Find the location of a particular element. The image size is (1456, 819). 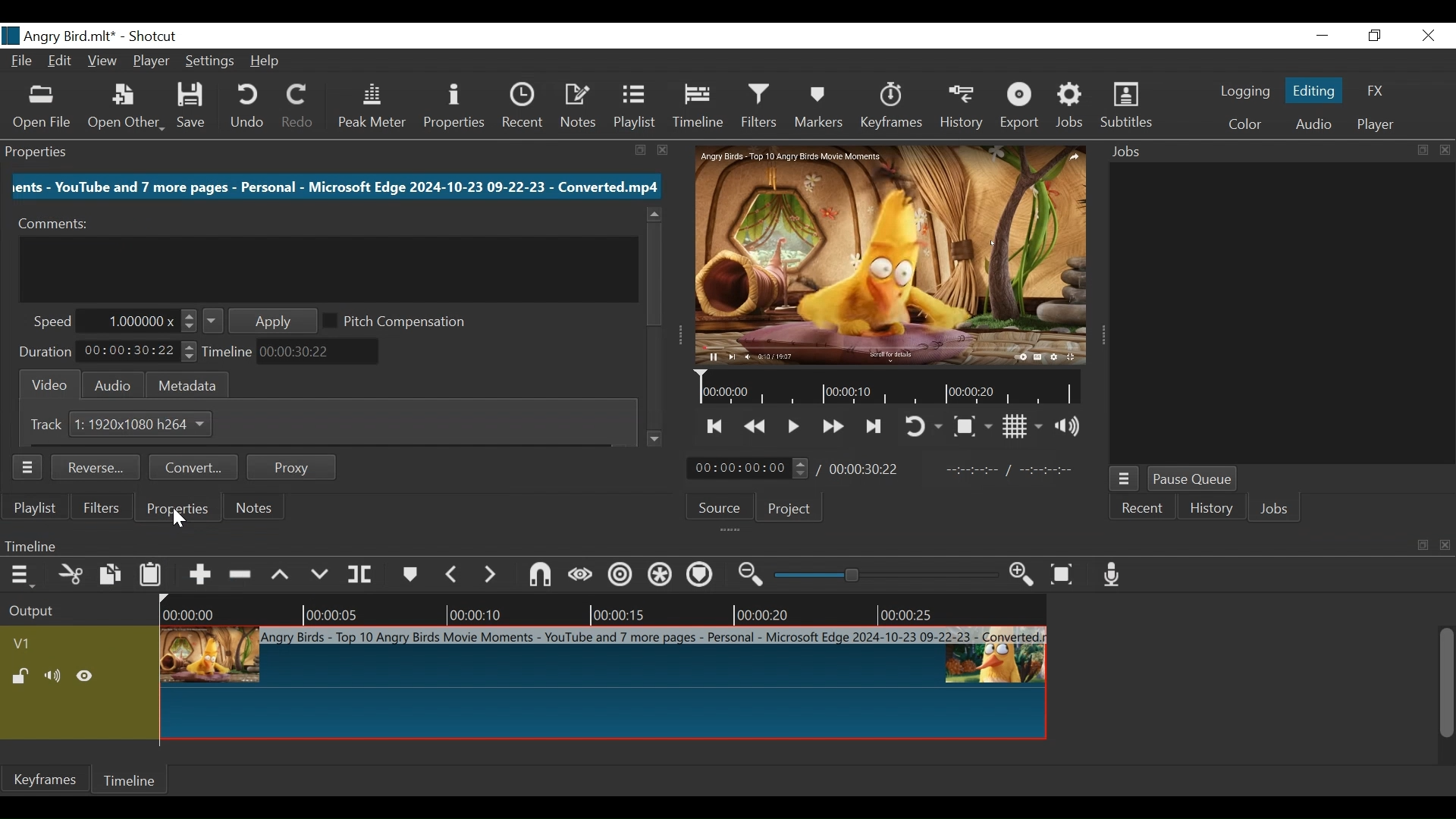

Redo is located at coordinates (297, 108).